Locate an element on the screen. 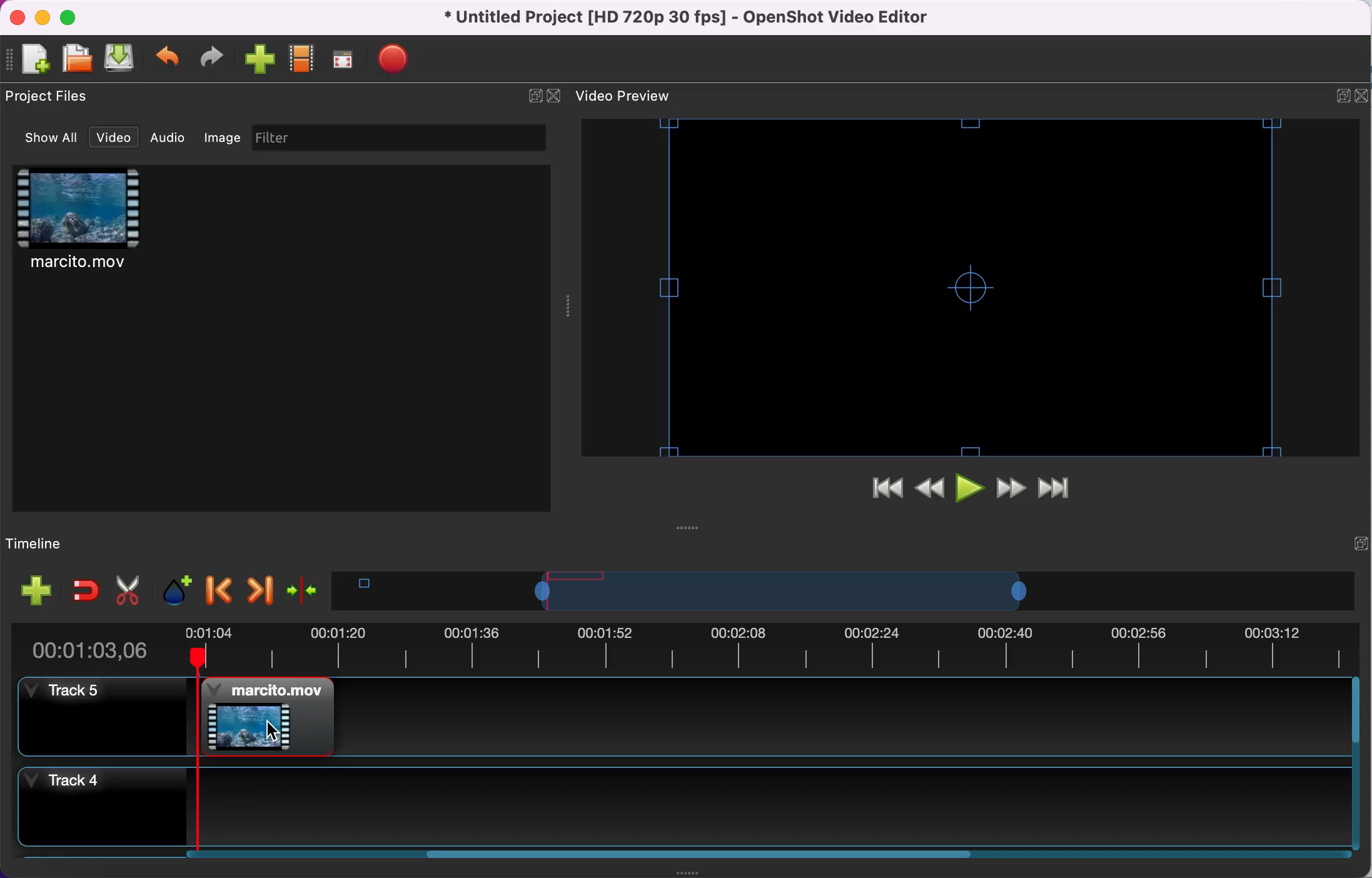  play is located at coordinates (968, 491).